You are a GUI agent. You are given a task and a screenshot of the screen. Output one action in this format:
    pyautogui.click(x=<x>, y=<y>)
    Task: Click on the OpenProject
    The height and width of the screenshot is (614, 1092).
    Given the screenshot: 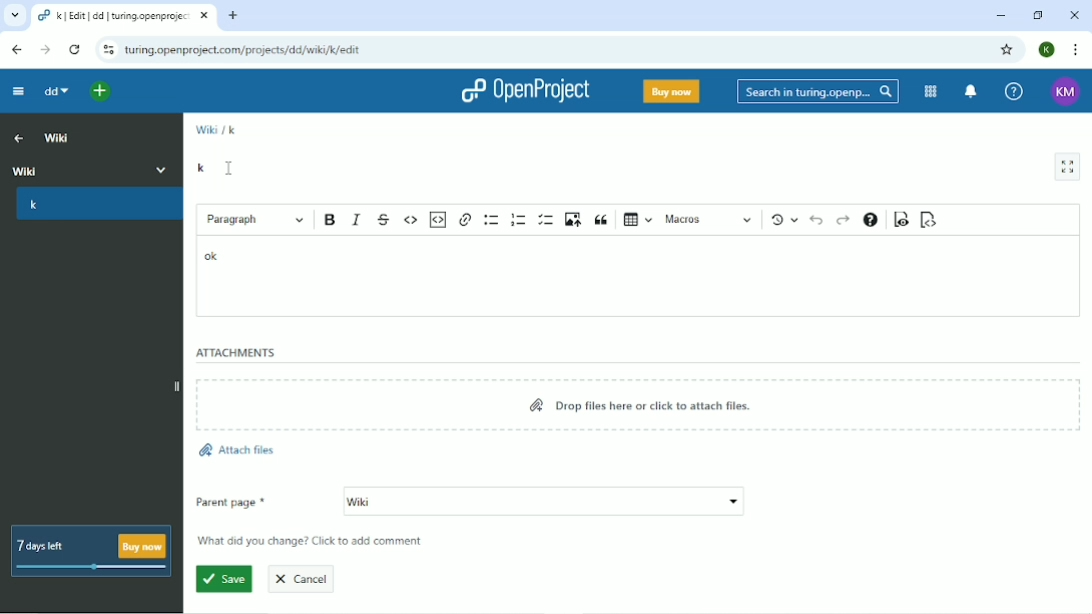 What is the action you would take?
    pyautogui.click(x=525, y=93)
    